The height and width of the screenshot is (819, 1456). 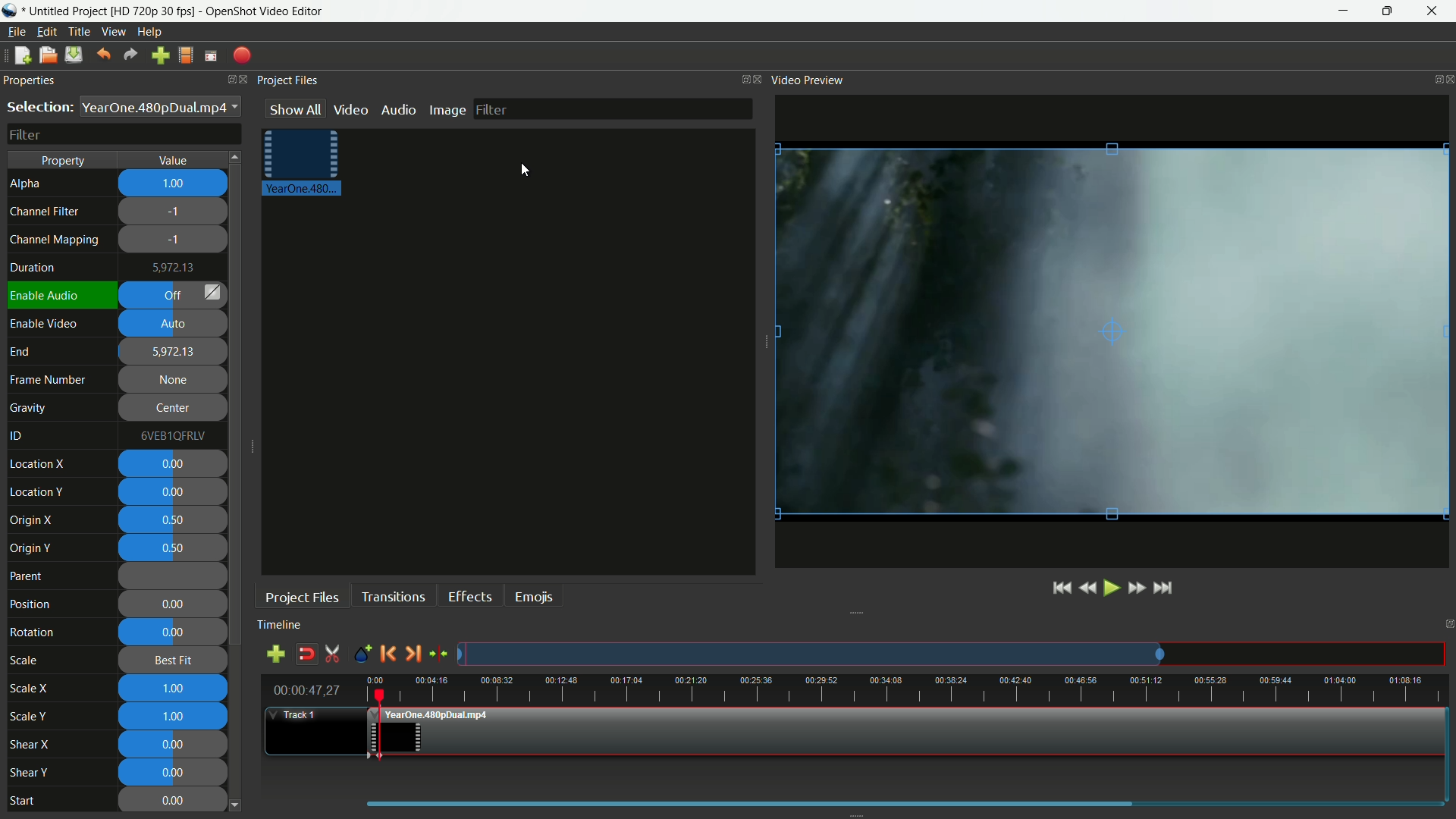 I want to click on 0.00, so click(x=174, y=492).